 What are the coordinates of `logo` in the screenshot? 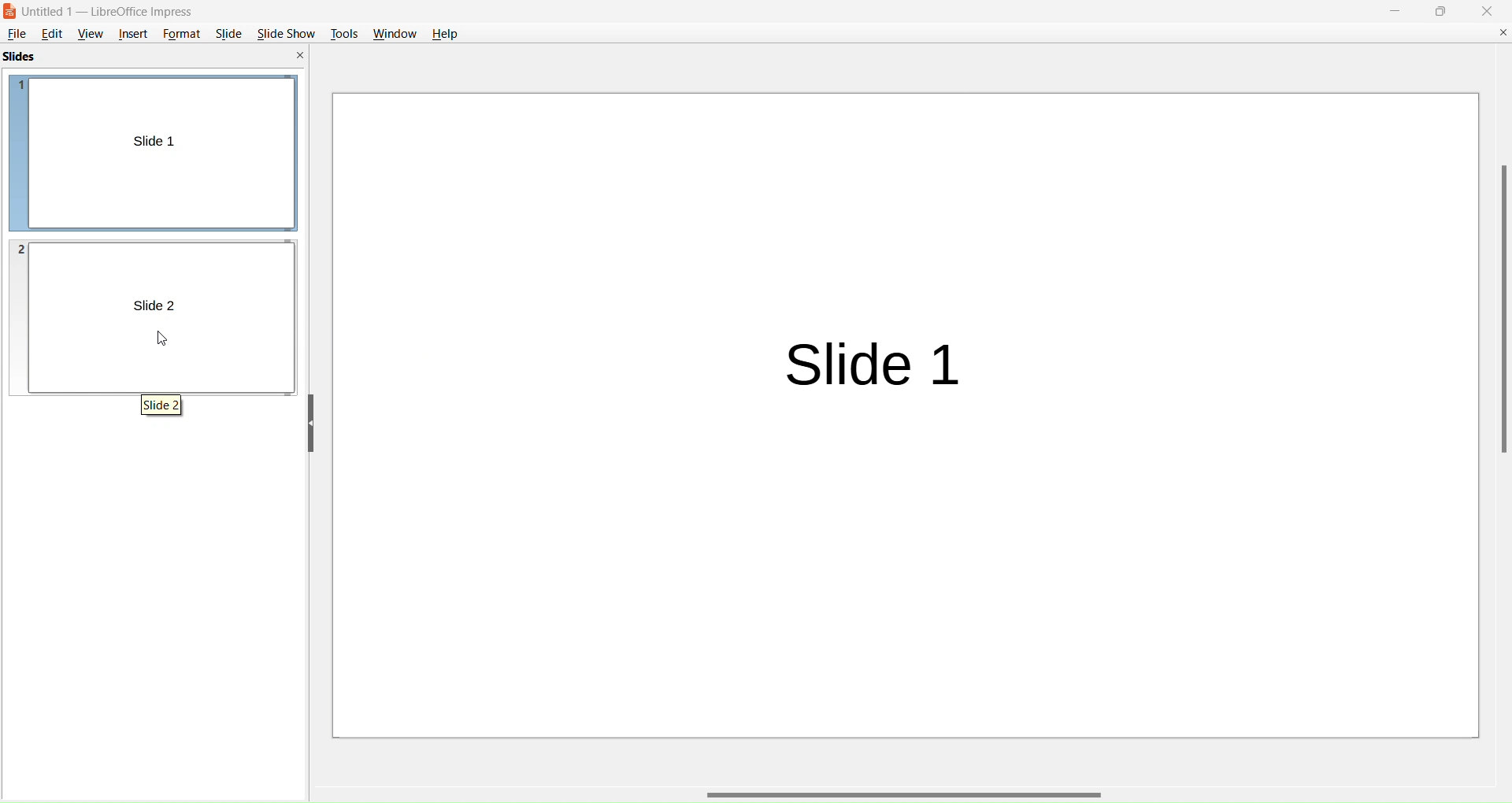 It's located at (13, 11).